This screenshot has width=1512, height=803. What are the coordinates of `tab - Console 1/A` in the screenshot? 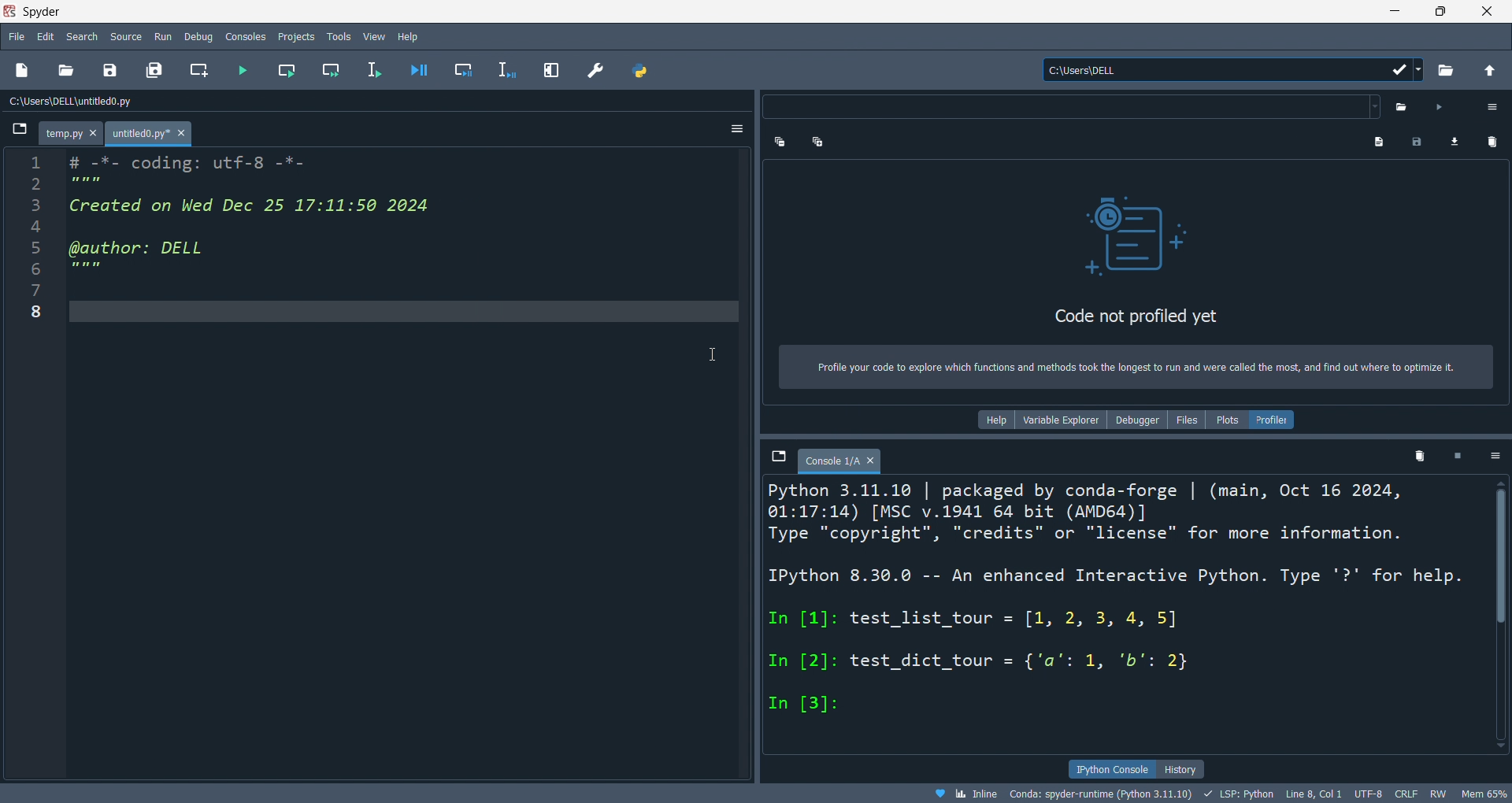 It's located at (840, 459).